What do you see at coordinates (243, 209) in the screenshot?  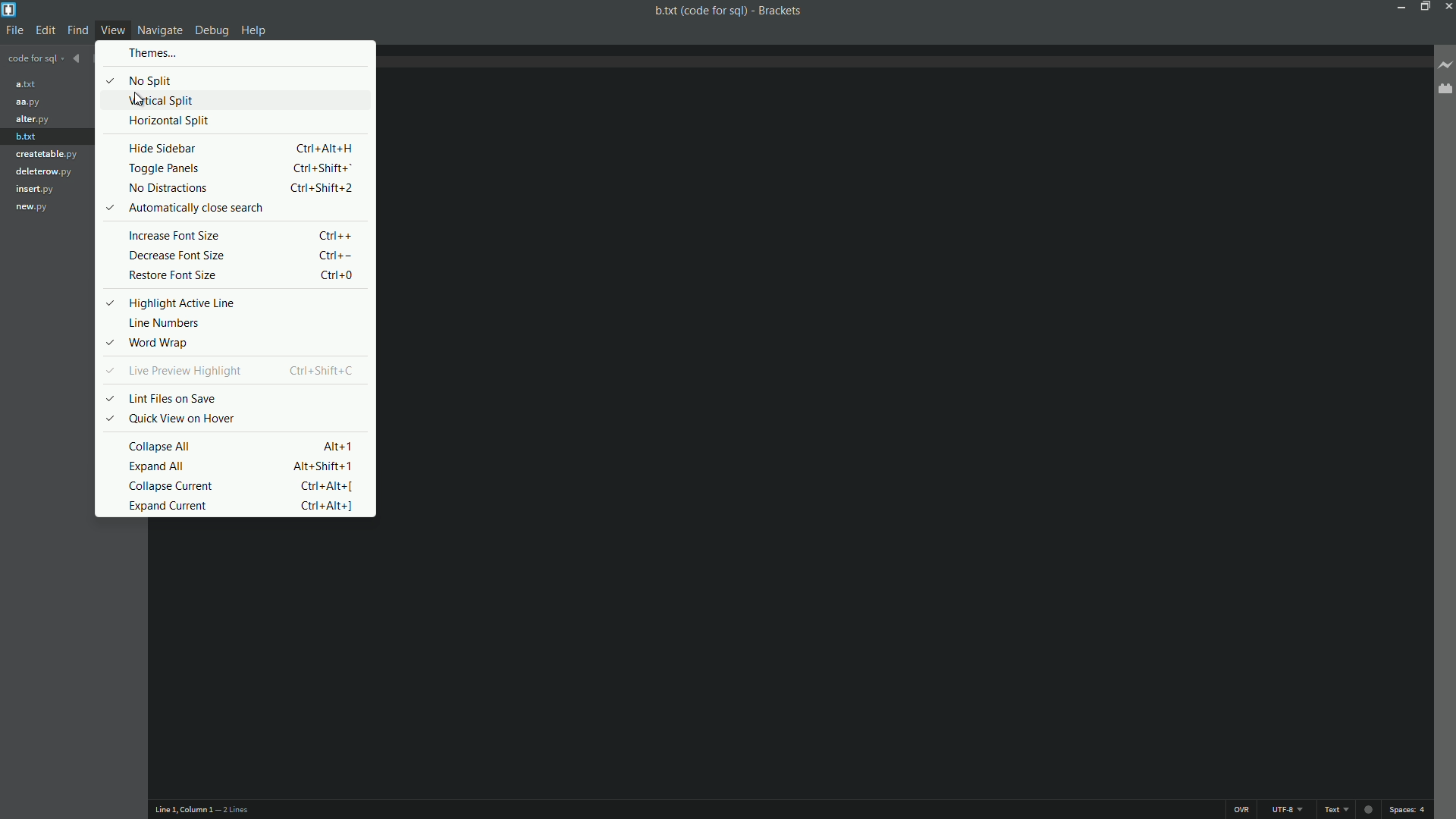 I see `automatically close search` at bounding box center [243, 209].